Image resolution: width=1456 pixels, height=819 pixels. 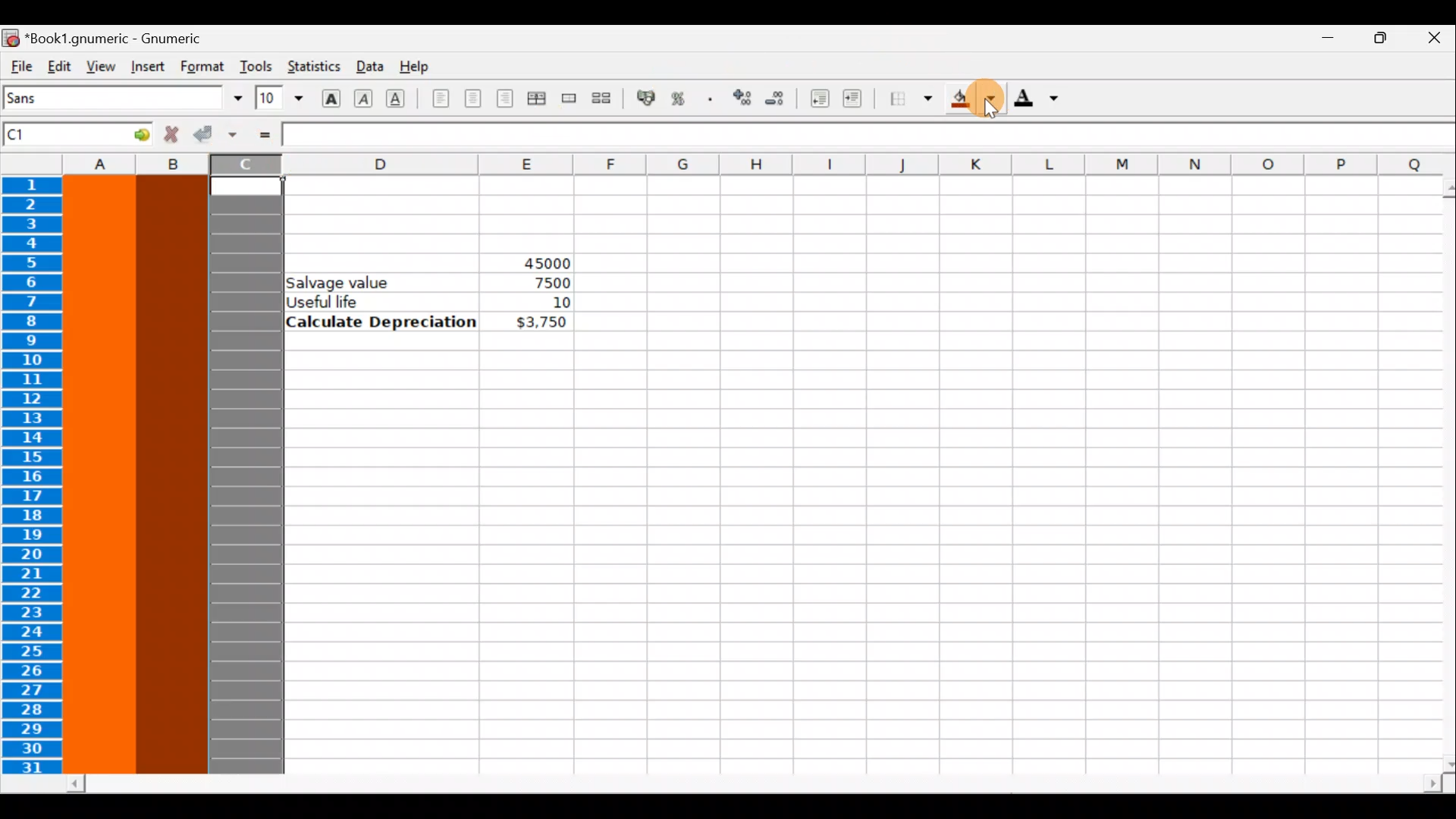 I want to click on Format the selection as accounting, so click(x=647, y=100).